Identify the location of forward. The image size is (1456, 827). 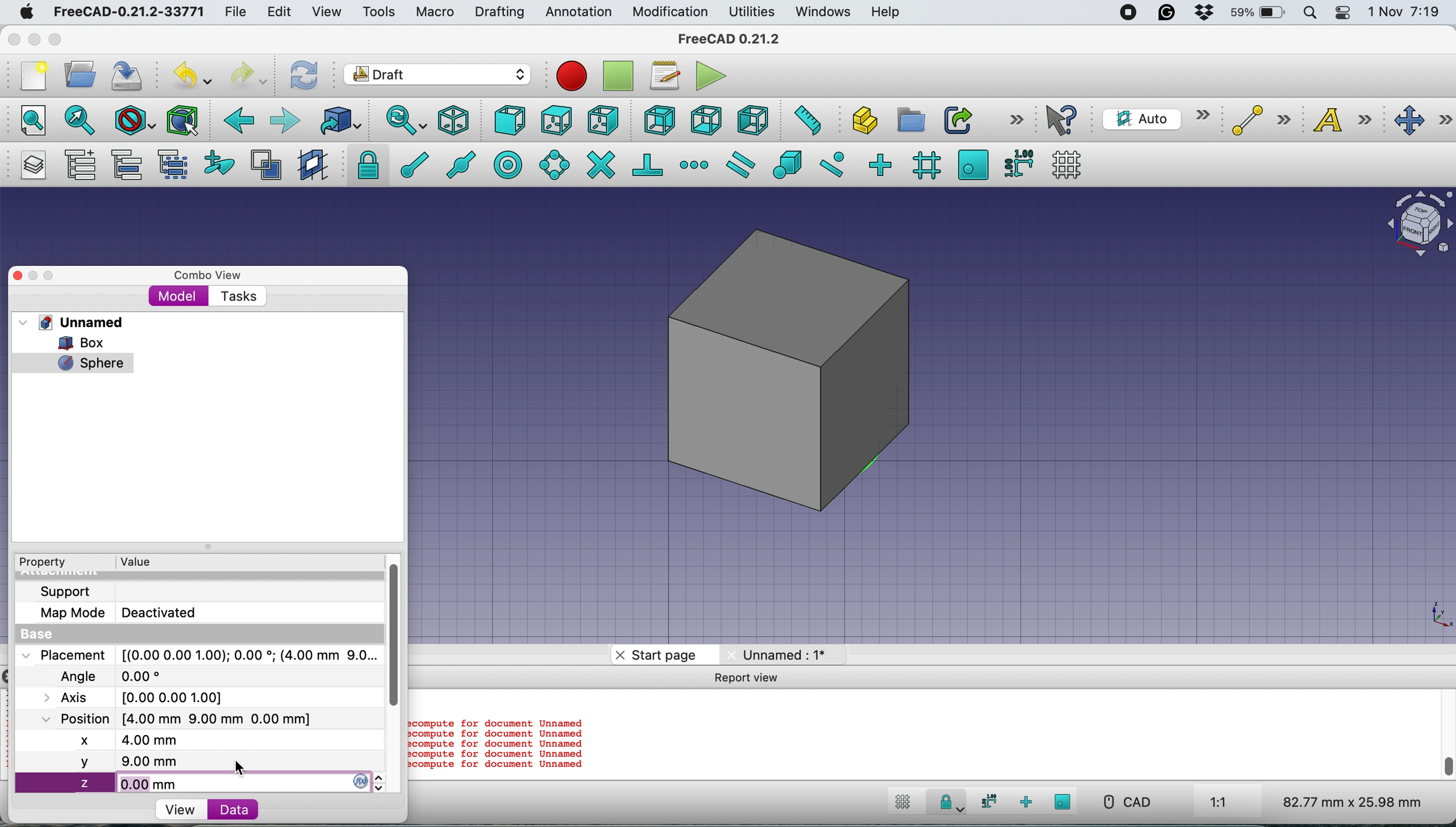
(284, 120).